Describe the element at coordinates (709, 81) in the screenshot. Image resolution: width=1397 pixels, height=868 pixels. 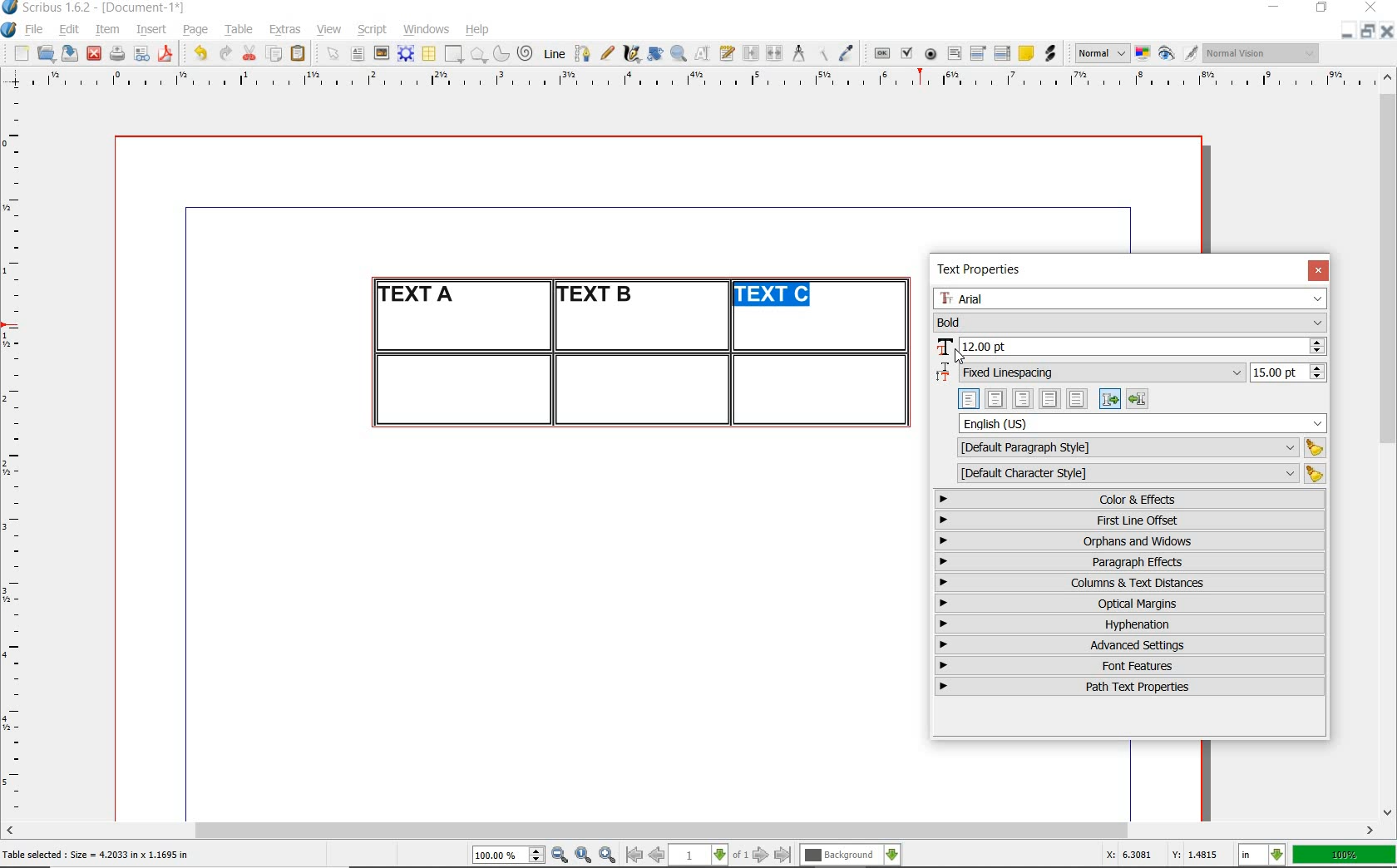
I see `ruler` at that location.